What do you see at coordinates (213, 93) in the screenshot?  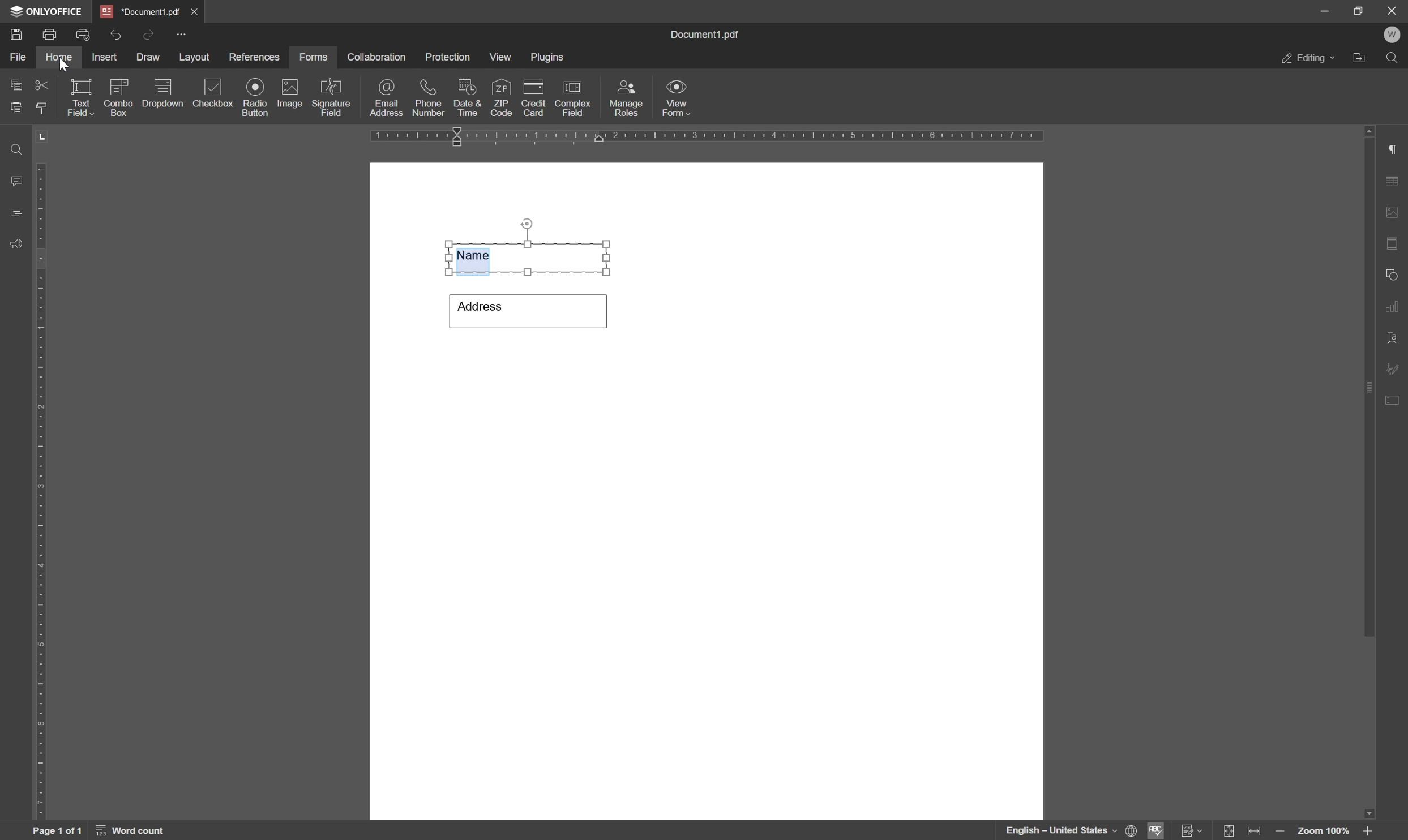 I see `checkbox` at bounding box center [213, 93].